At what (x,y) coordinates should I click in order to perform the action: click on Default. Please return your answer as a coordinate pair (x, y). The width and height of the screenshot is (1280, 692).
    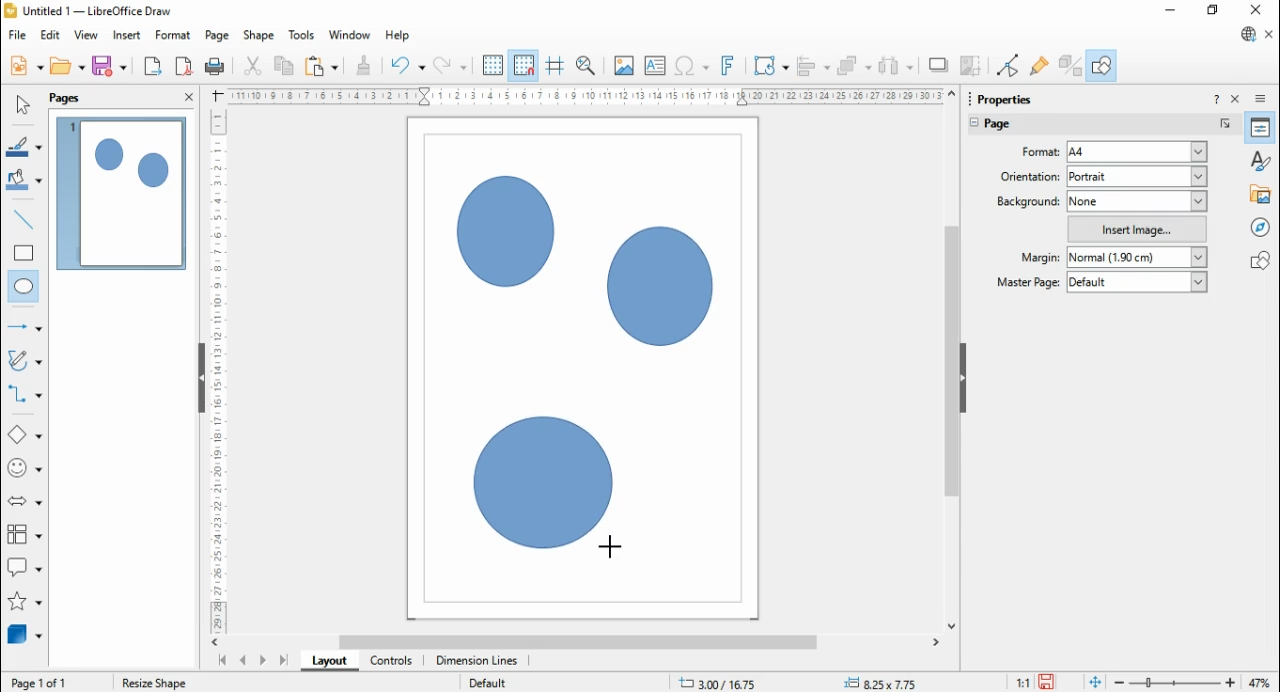
    Looking at the image, I should click on (487, 681).